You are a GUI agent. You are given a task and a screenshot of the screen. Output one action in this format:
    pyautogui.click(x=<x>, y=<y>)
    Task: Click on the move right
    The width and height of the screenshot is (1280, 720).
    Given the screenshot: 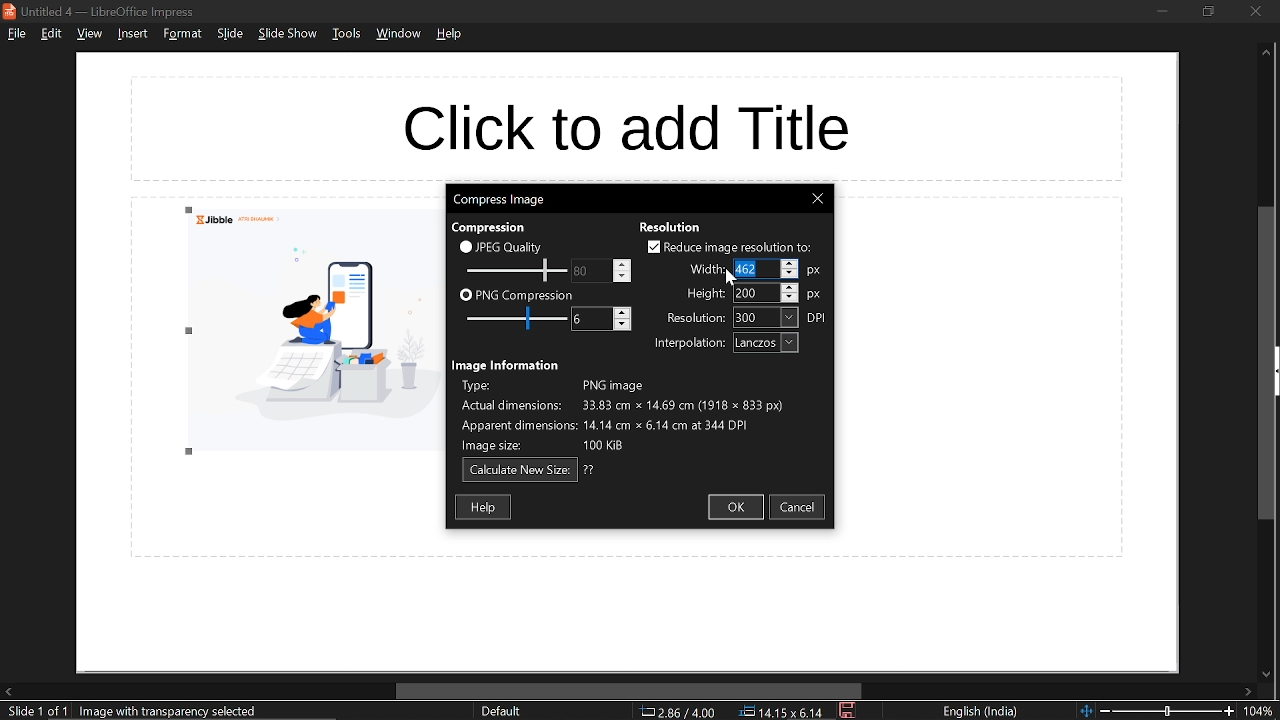 What is the action you would take?
    pyautogui.click(x=1248, y=693)
    